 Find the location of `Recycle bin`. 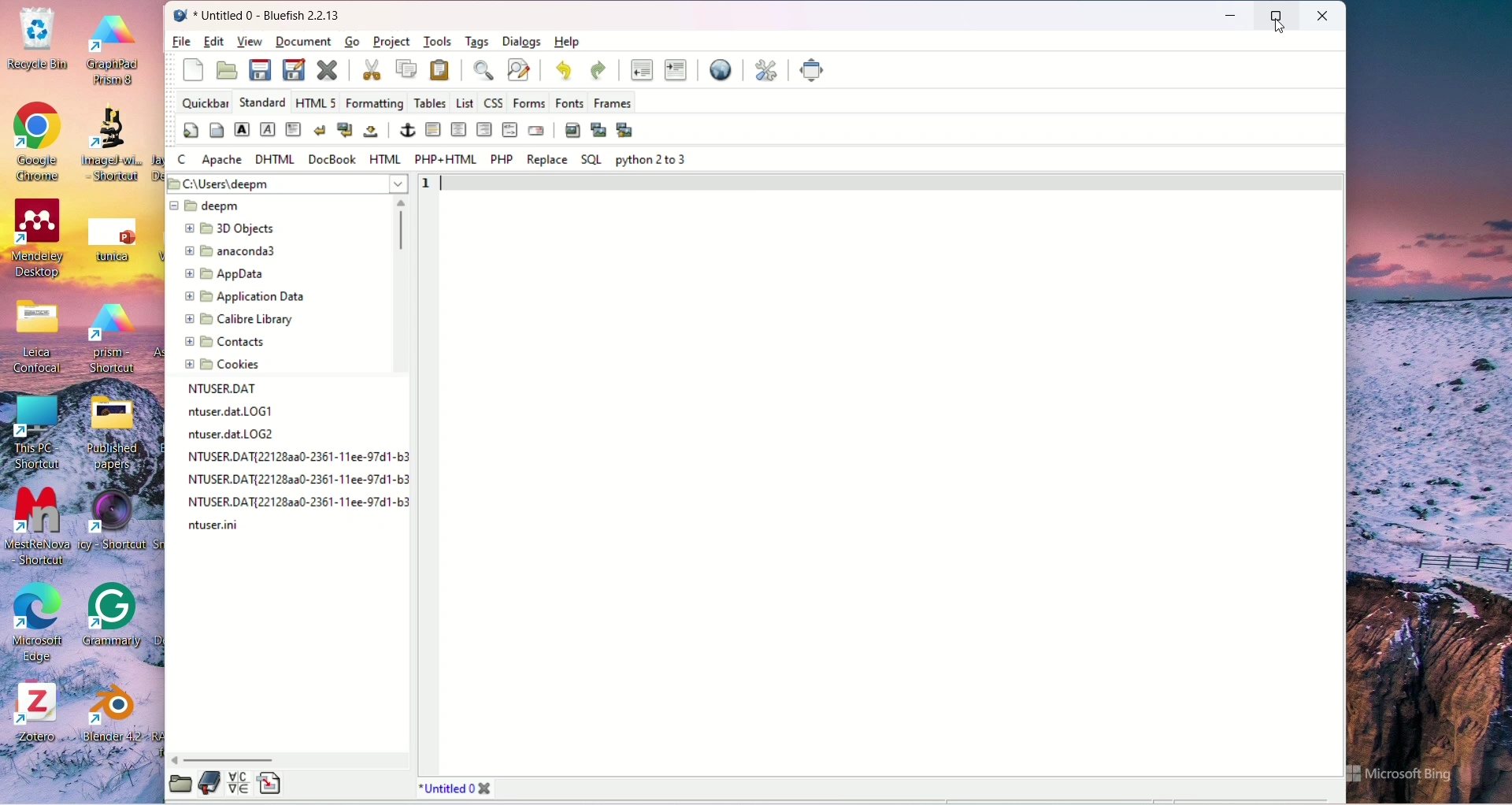

Recycle bin is located at coordinates (39, 41).